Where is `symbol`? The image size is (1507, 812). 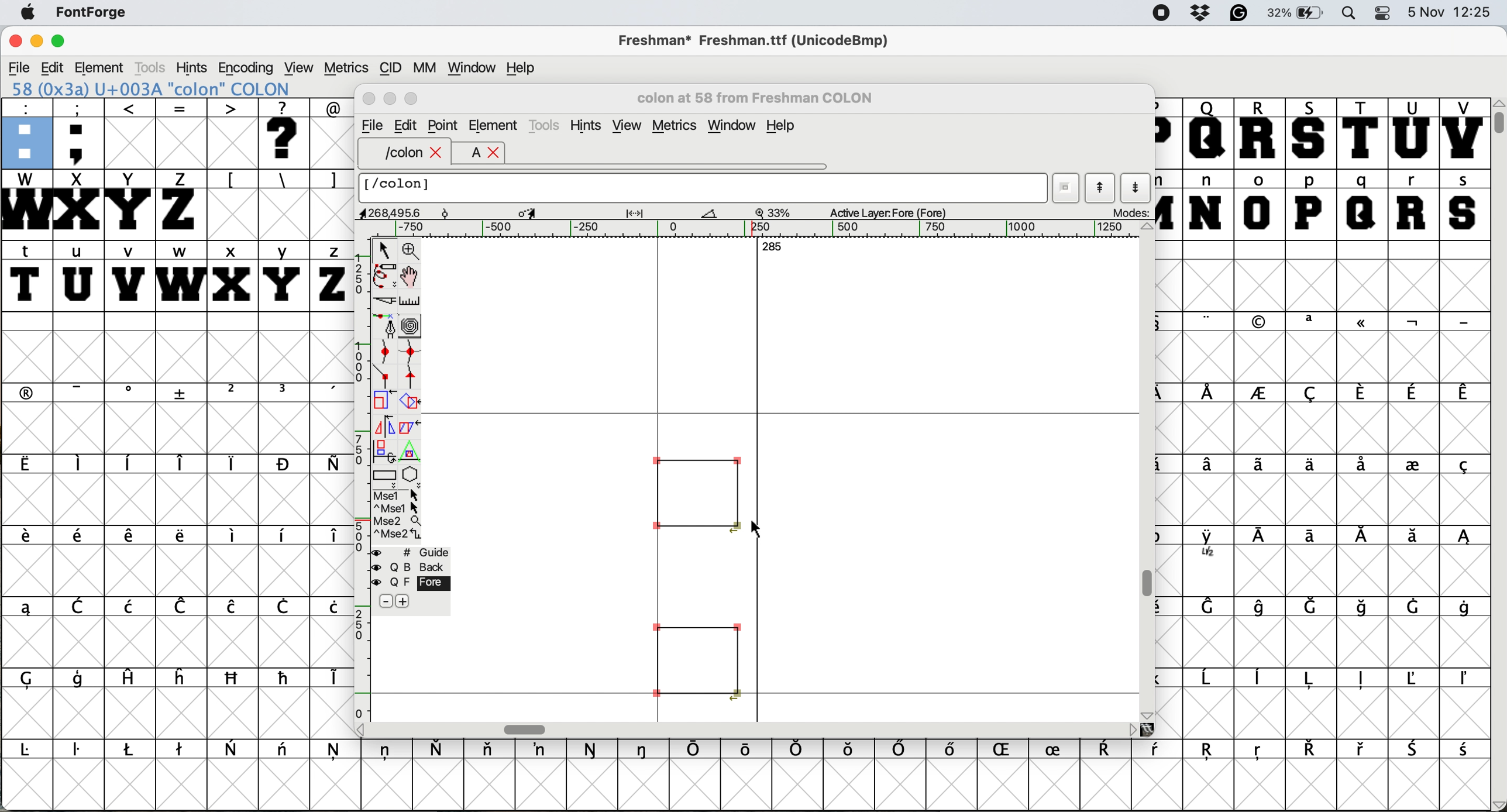 symbol is located at coordinates (1360, 393).